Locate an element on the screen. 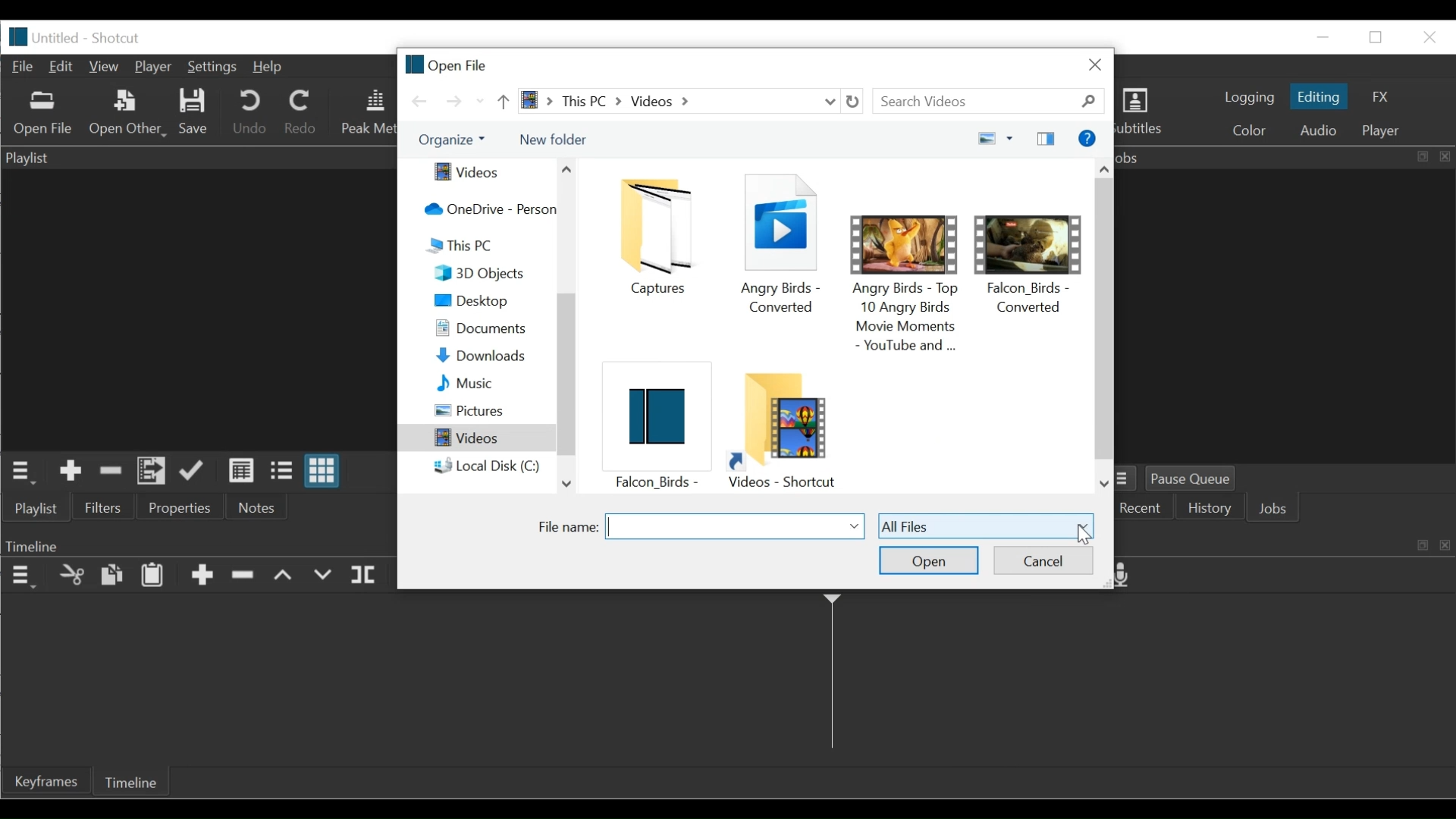  Falcon_birds - converted is located at coordinates (1031, 254).